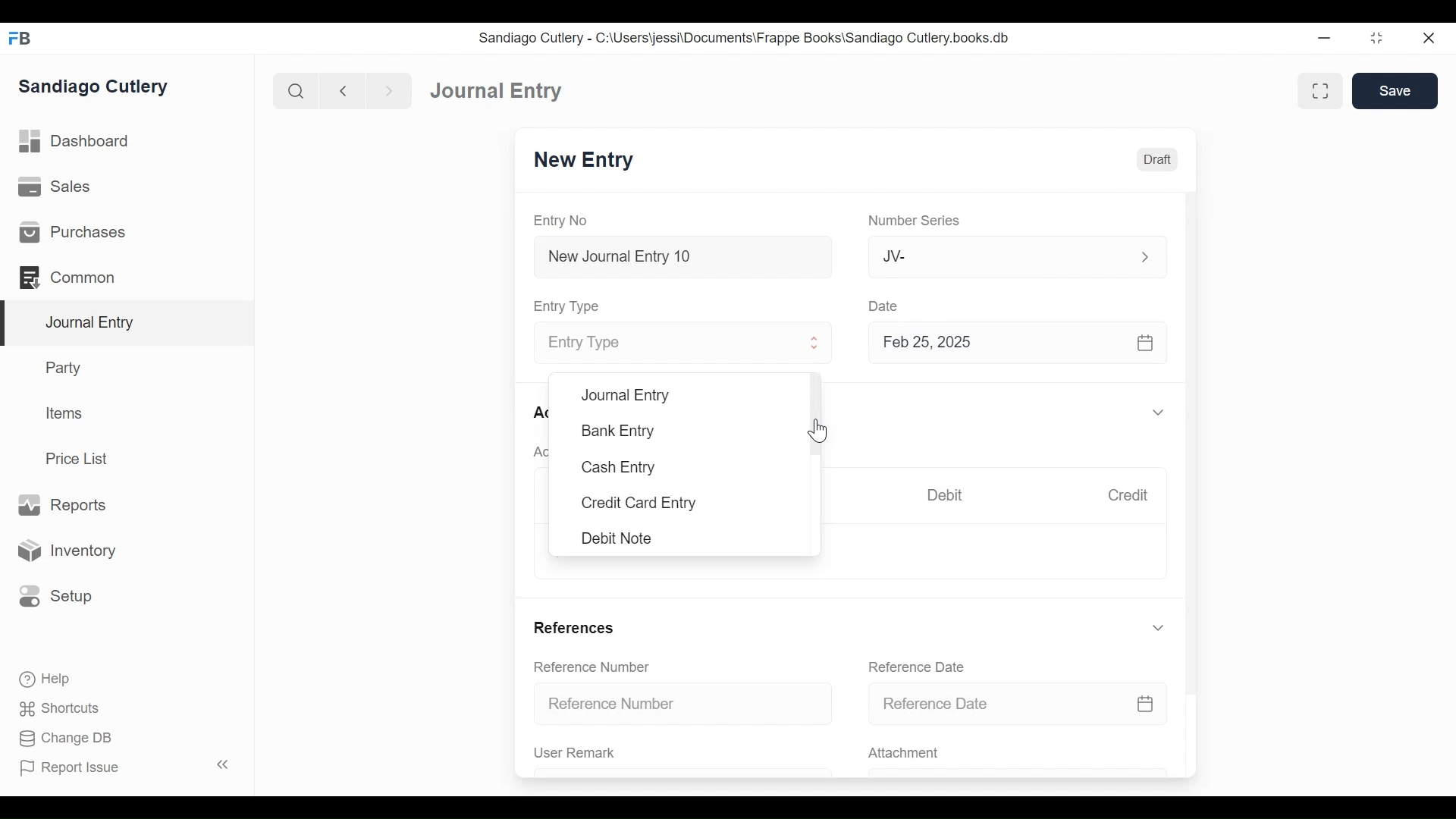  What do you see at coordinates (921, 667) in the screenshot?
I see `Reference Date` at bounding box center [921, 667].